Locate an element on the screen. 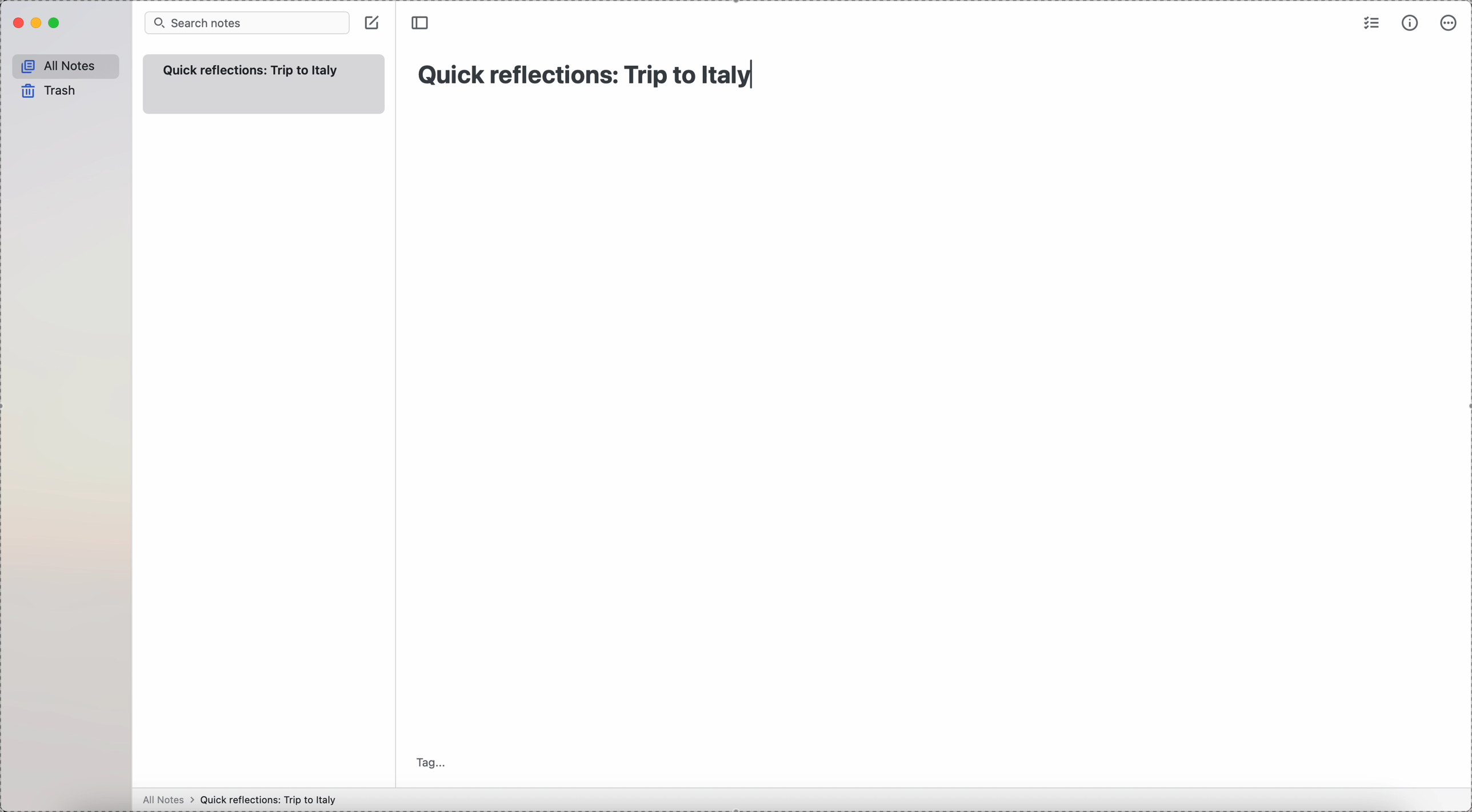 The width and height of the screenshot is (1472, 812). toggle sidebar is located at coordinates (422, 23).